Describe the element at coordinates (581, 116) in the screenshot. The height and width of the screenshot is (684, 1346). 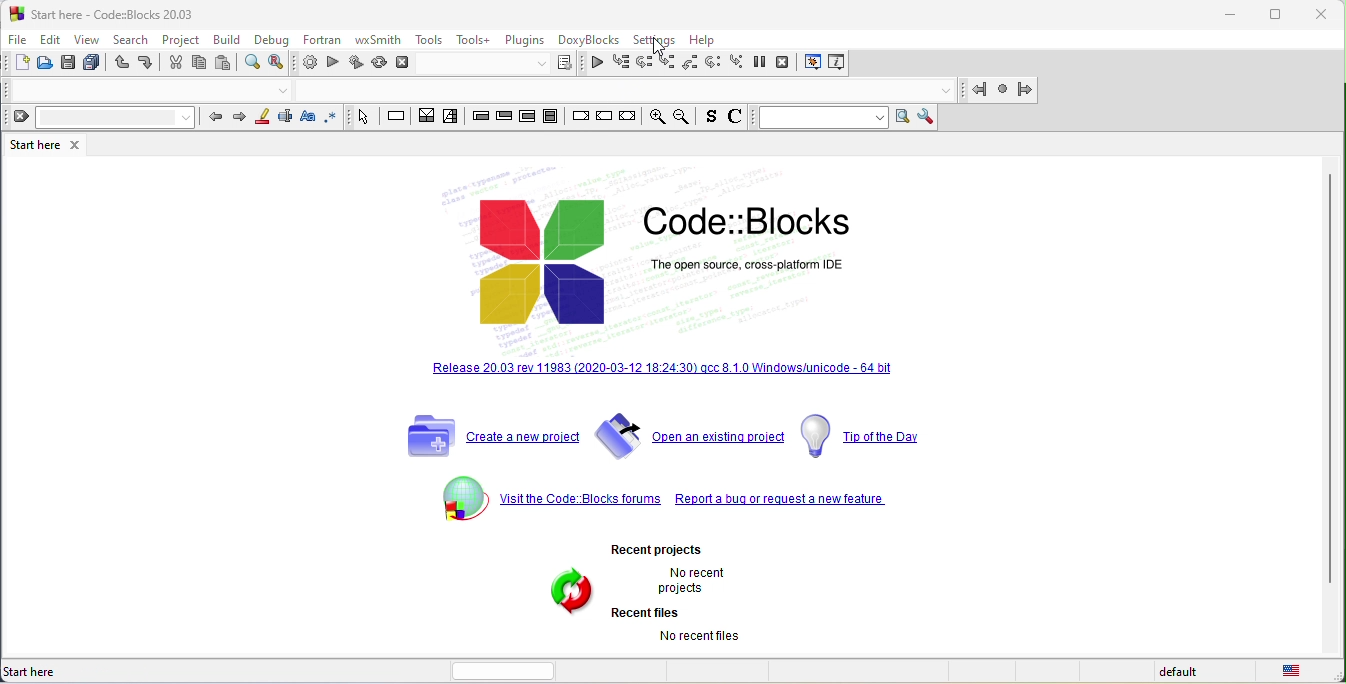
I see `break` at that location.